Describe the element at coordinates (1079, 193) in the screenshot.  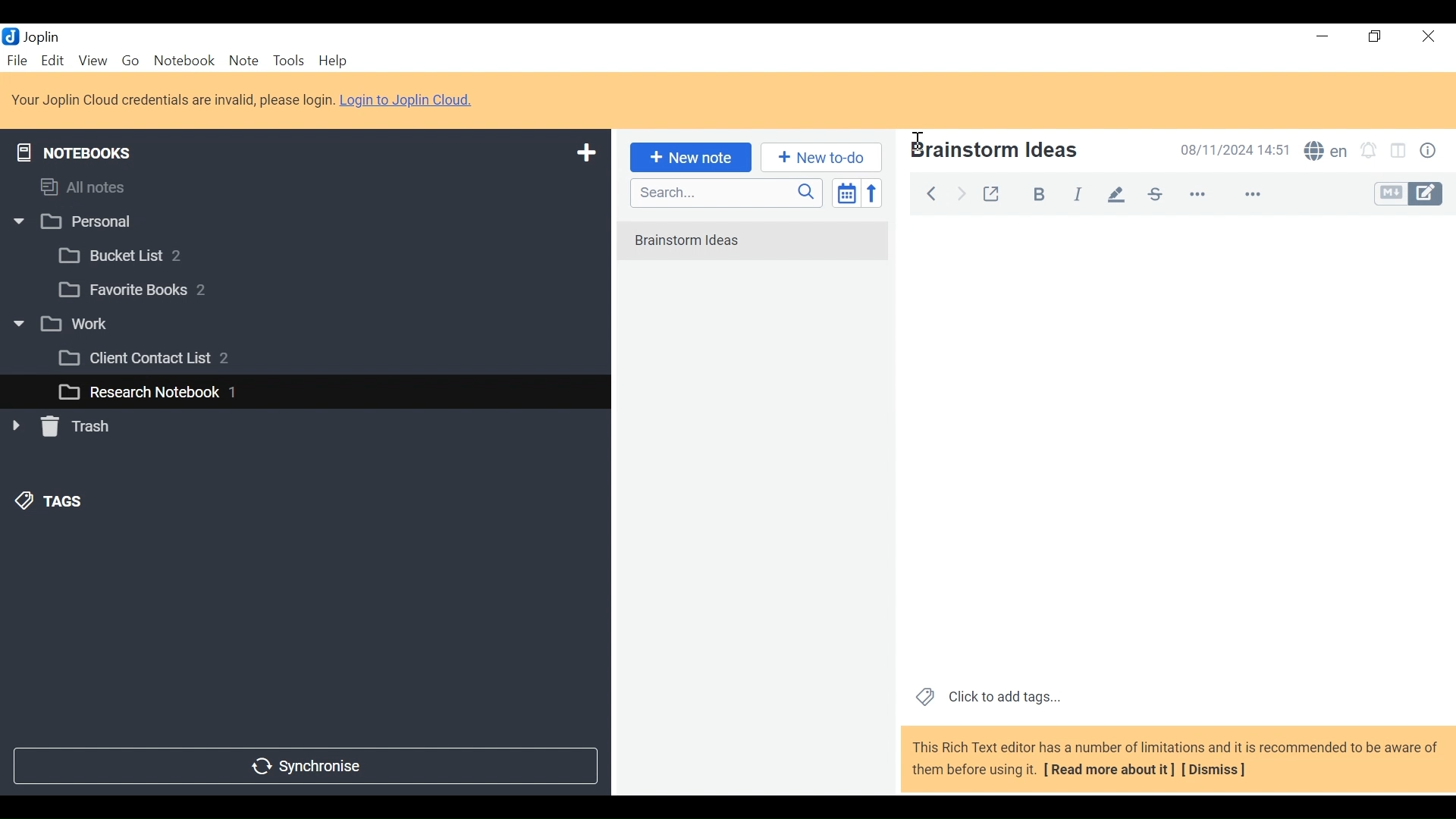
I see `italiac` at that location.